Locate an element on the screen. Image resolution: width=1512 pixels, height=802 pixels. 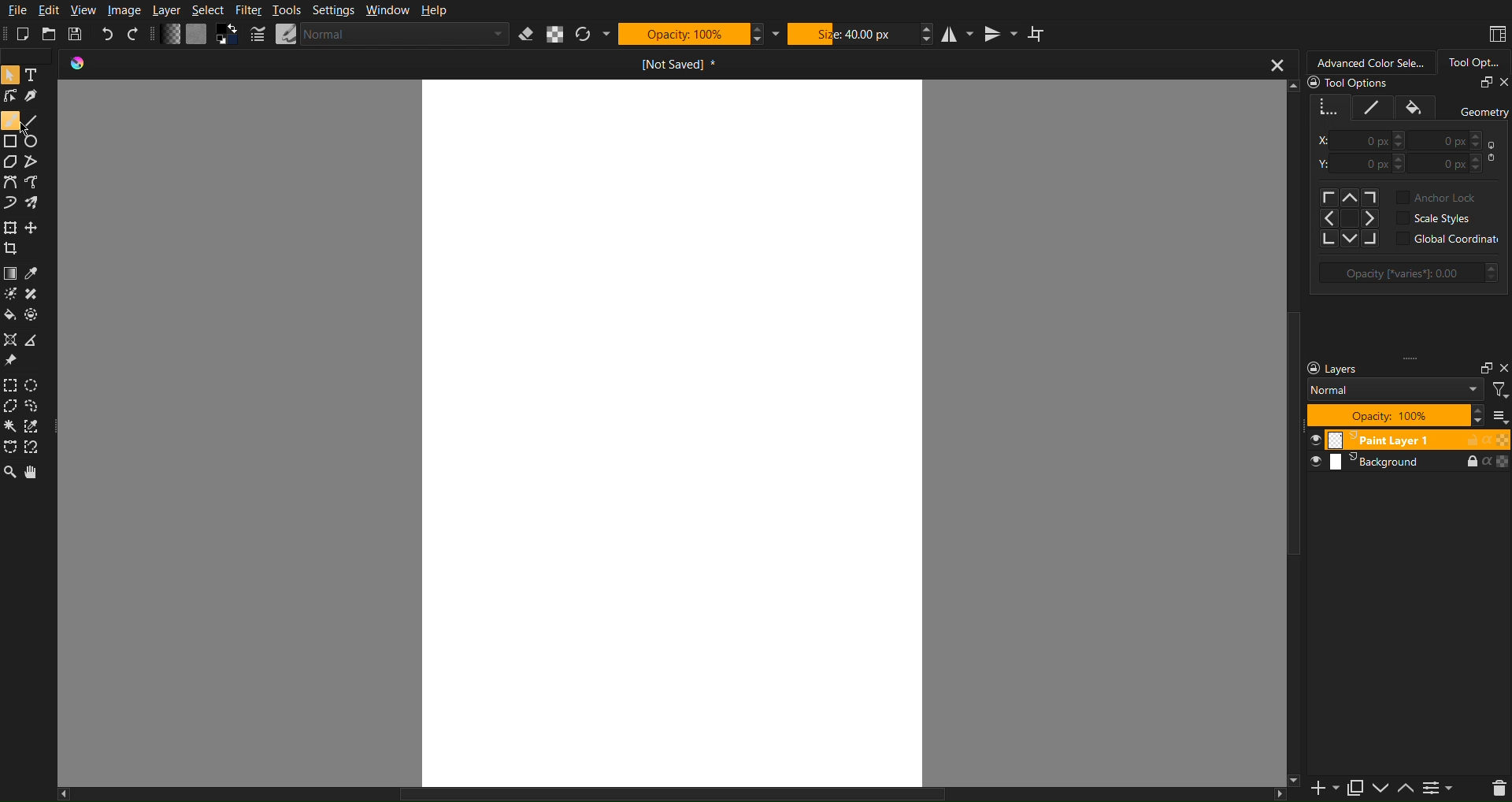
Selection Tools is located at coordinates (10, 449).